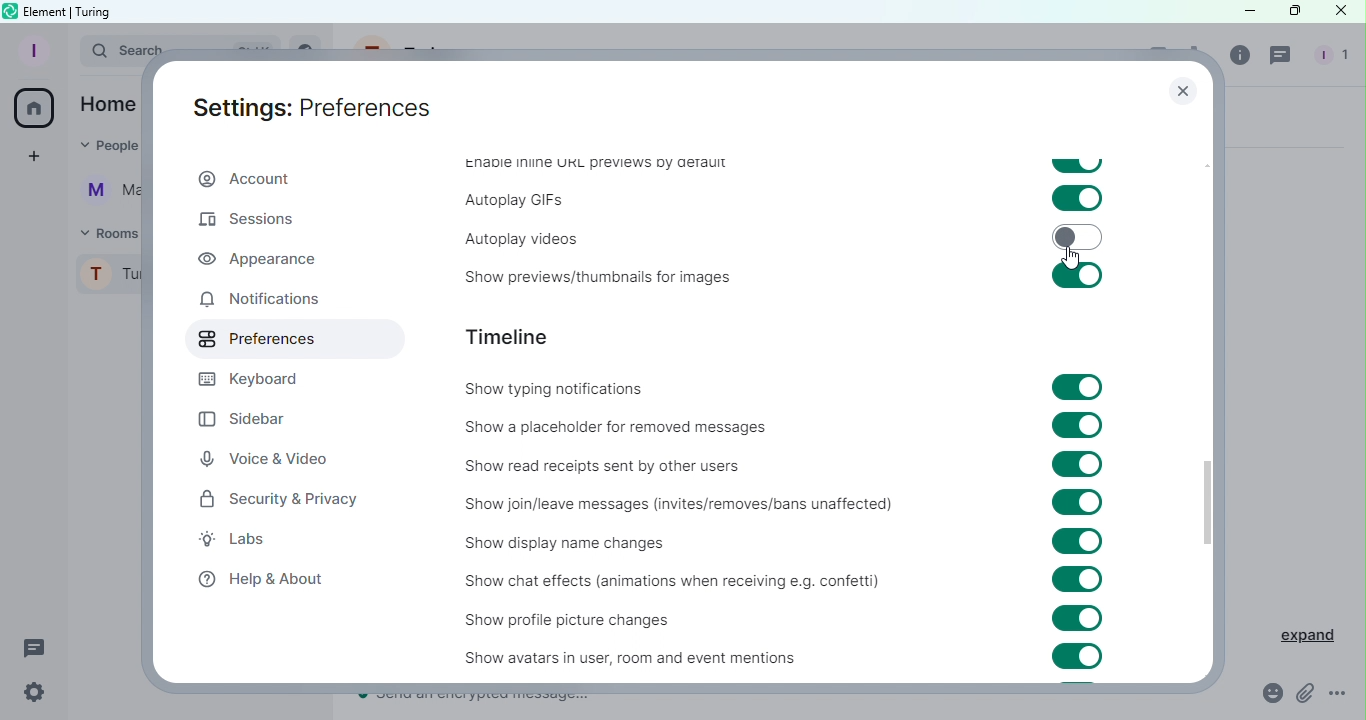 The height and width of the screenshot is (720, 1366). Describe the element at coordinates (266, 458) in the screenshot. I see `Voice and video` at that location.